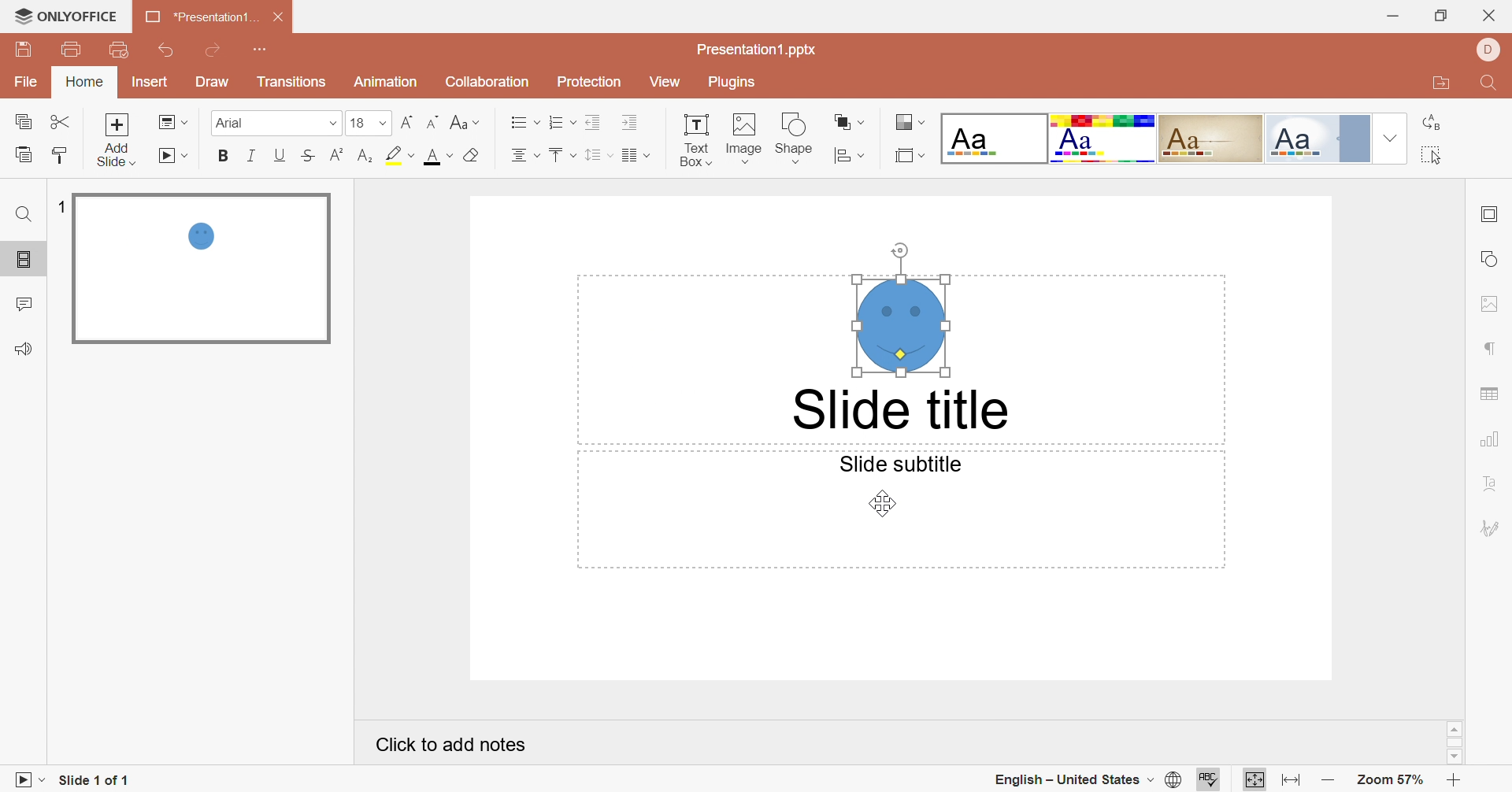 Image resolution: width=1512 pixels, height=792 pixels. What do you see at coordinates (117, 48) in the screenshot?
I see `Quick Print` at bounding box center [117, 48].